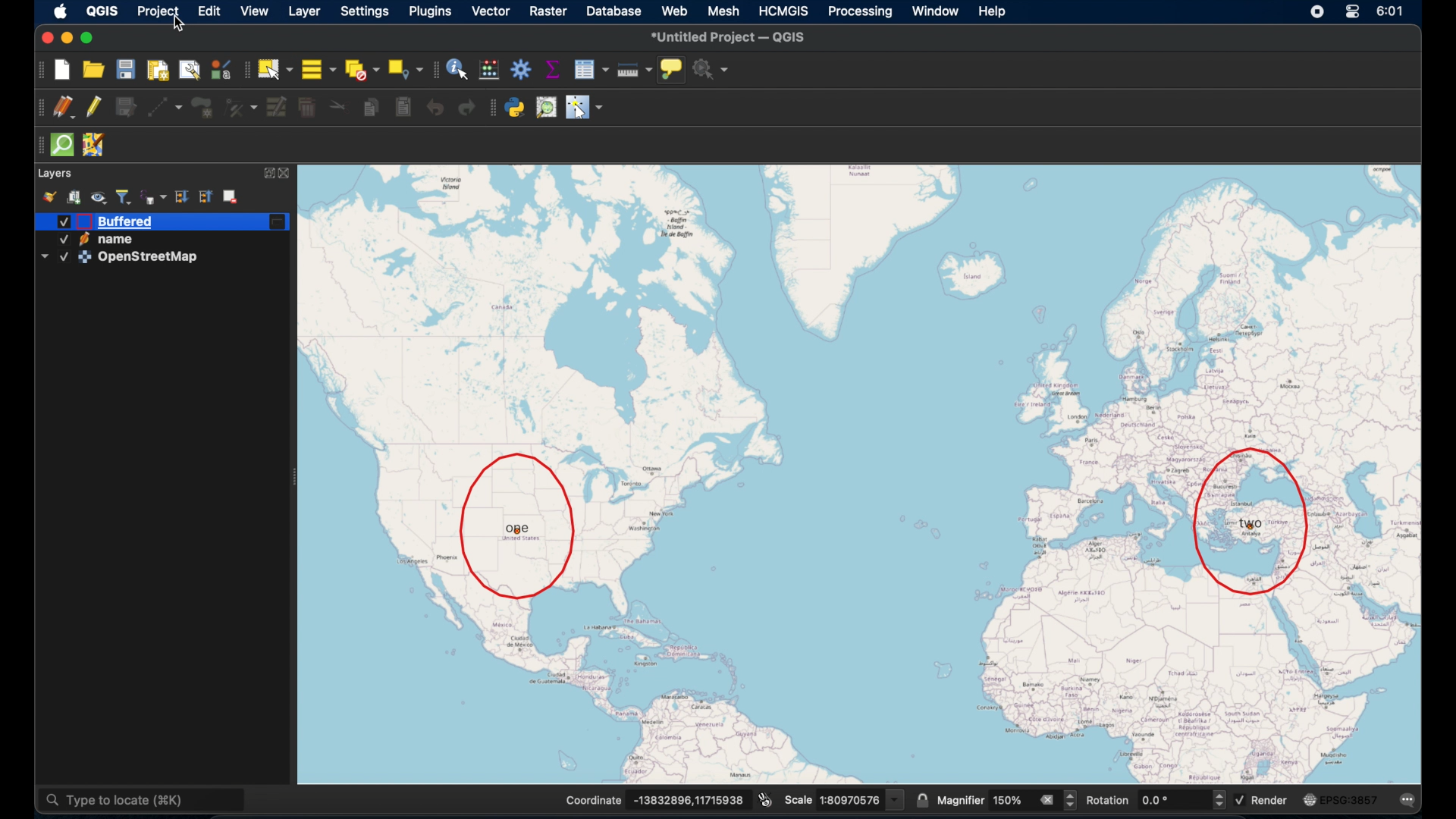  Describe the element at coordinates (522, 71) in the screenshot. I see `toolbox` at that location.